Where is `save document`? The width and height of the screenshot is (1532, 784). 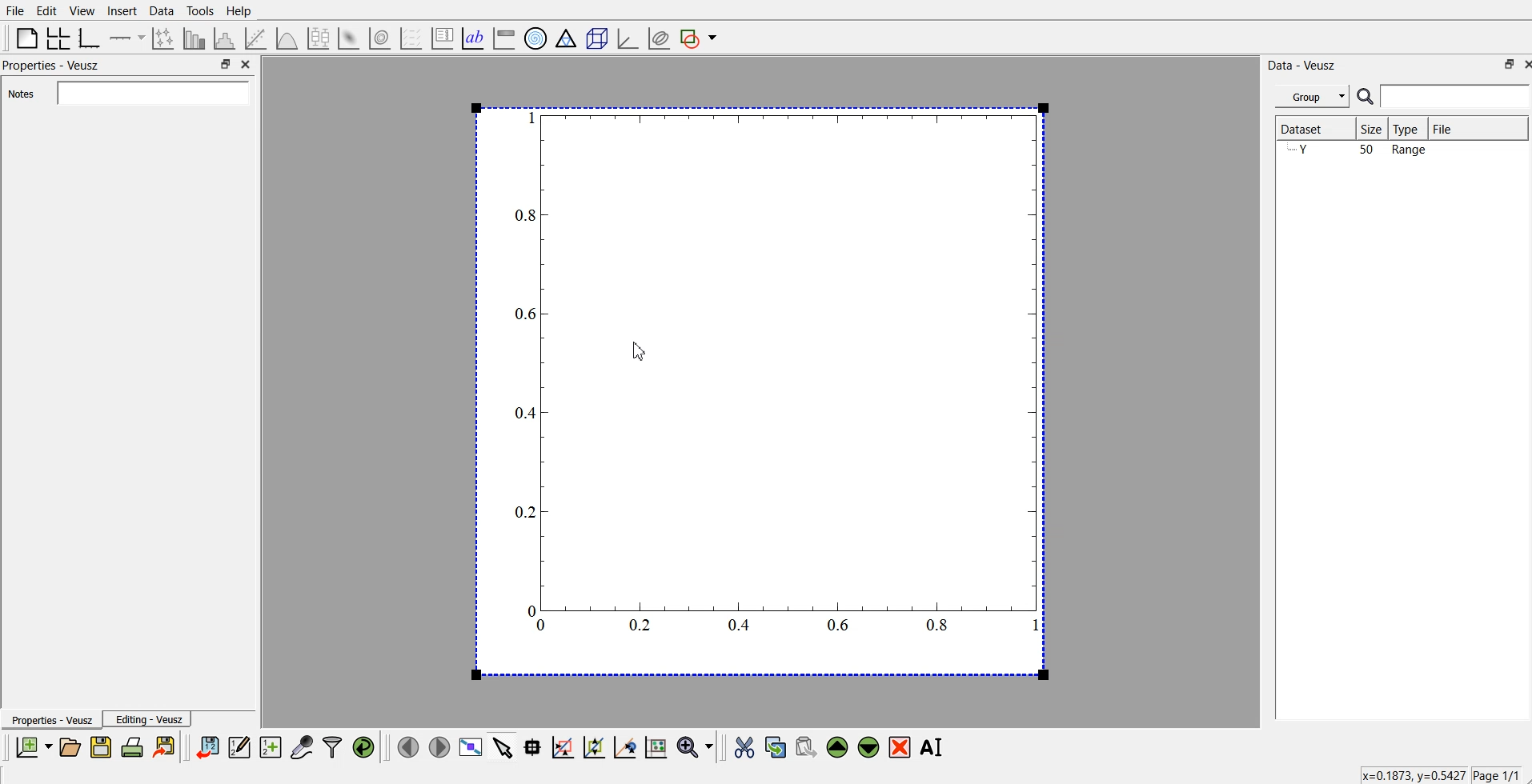
save document is located at coordinates (101, 748).